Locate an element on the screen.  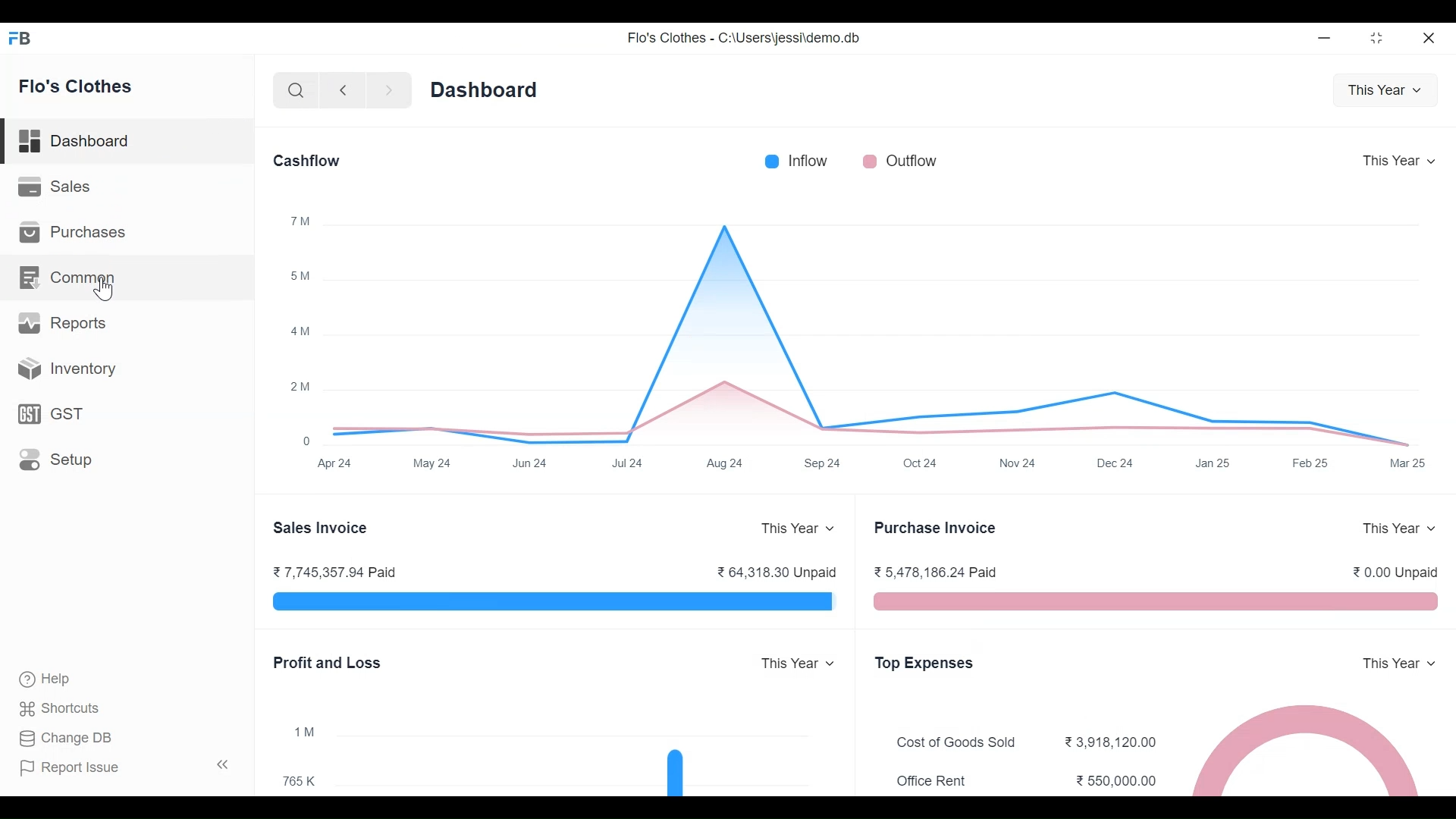
Setup is located at coordinates (59, 457).